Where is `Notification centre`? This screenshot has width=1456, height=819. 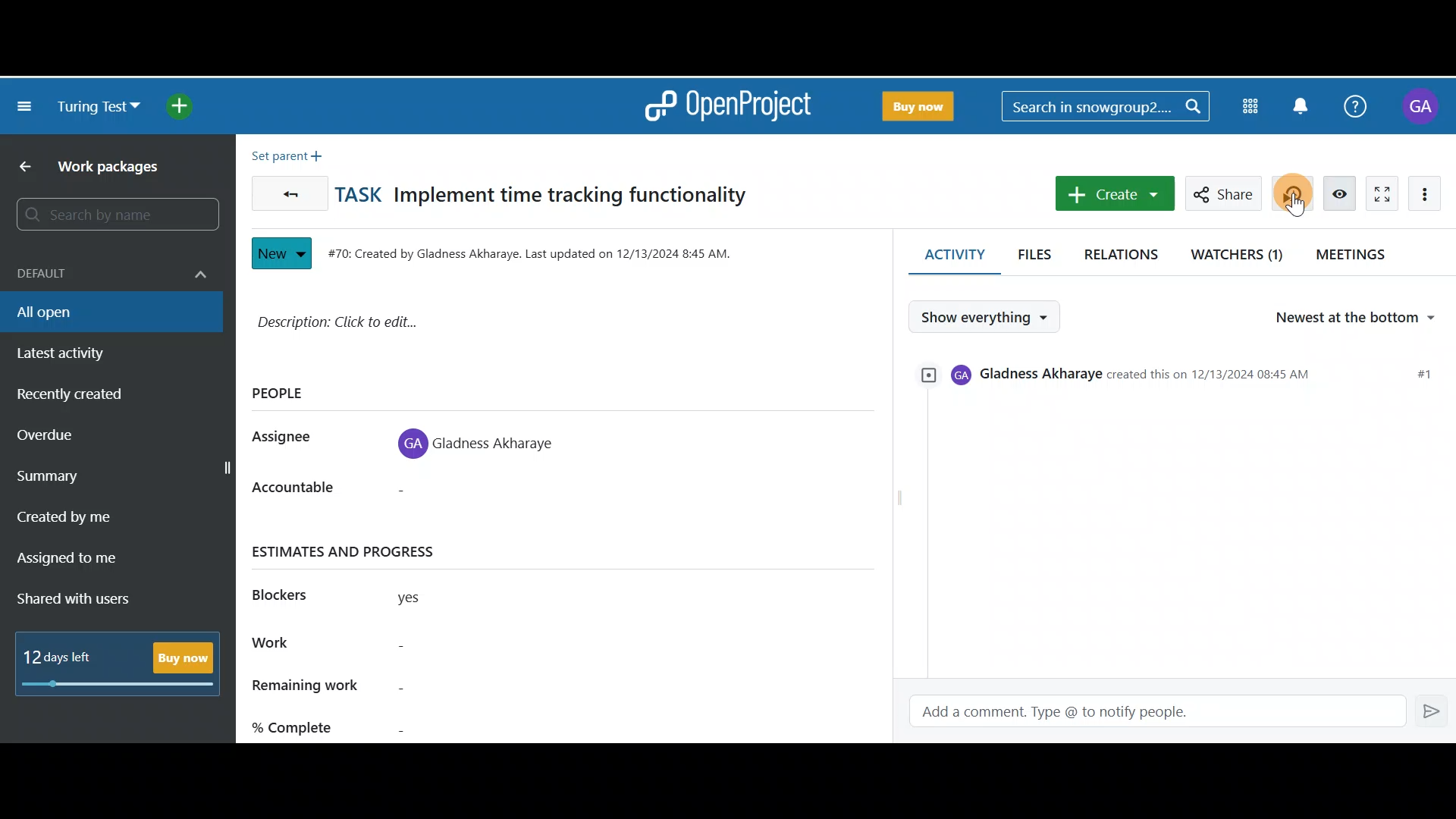 Notification centre is located at coordinates (1302, 105).